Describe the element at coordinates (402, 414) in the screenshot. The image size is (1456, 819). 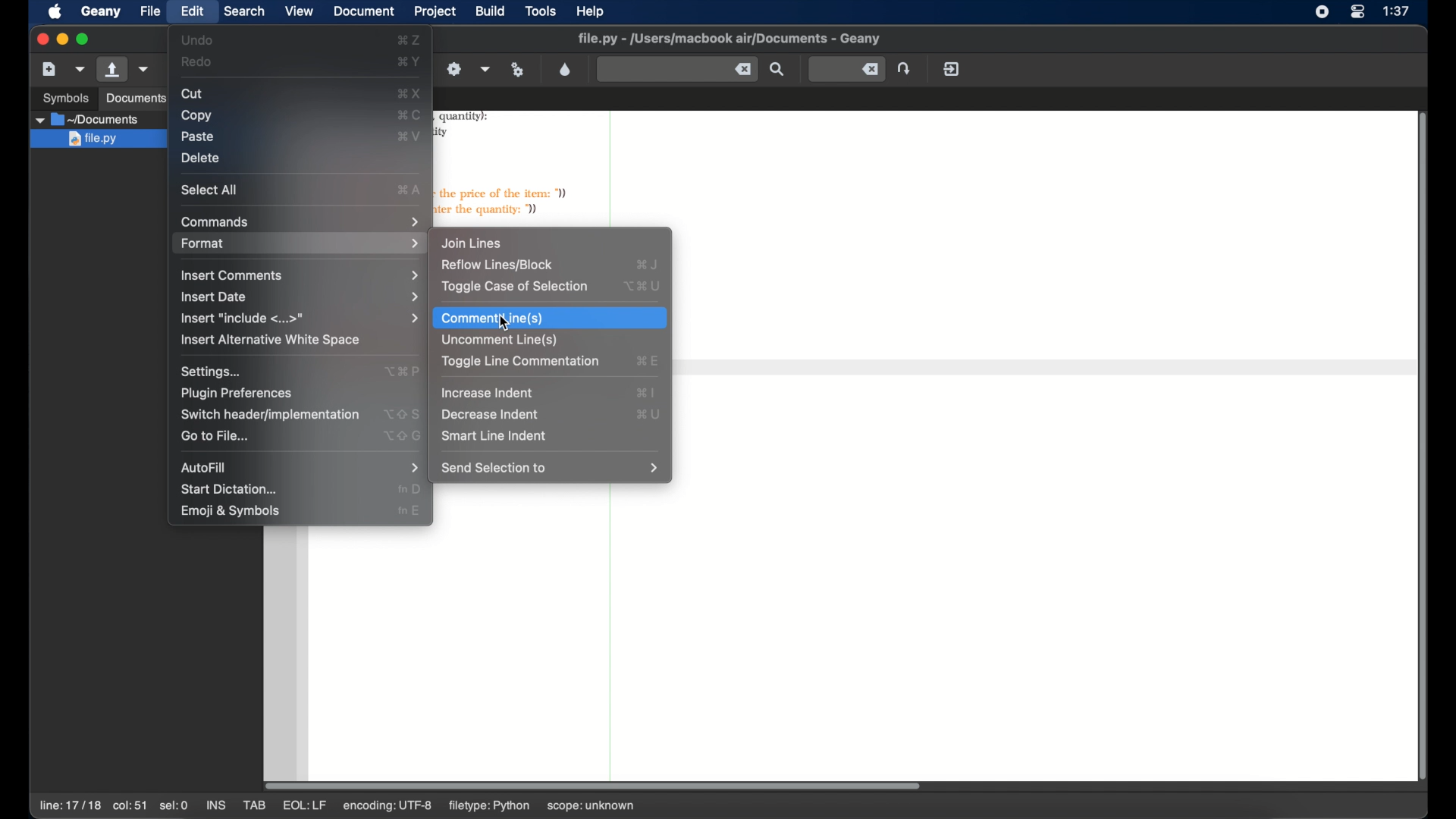
I see `switch header shortcut` at that location.